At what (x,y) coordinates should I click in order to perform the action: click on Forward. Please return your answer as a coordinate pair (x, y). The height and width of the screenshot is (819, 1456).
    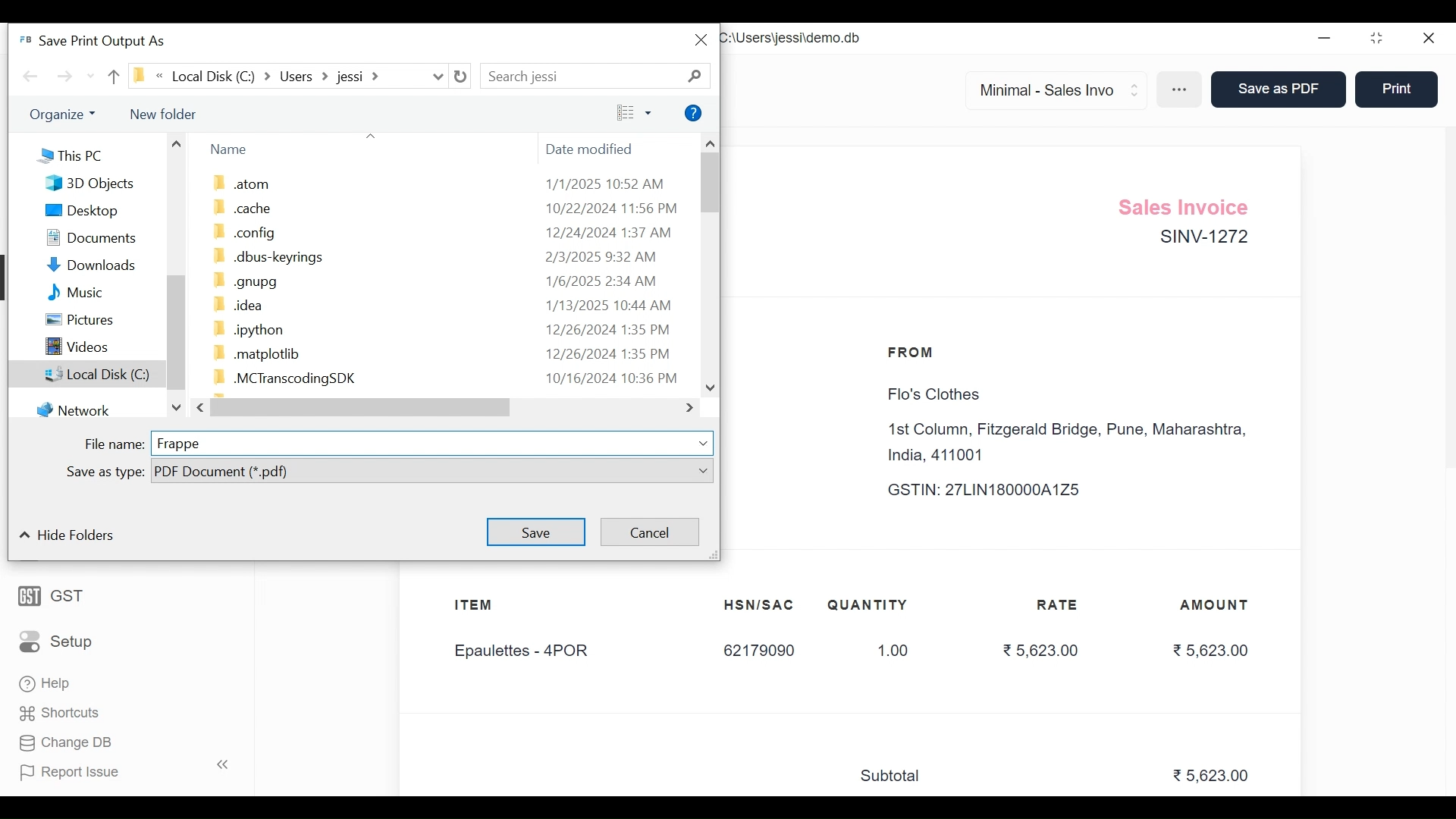
    Looking at the image, I should click on (67, 78).